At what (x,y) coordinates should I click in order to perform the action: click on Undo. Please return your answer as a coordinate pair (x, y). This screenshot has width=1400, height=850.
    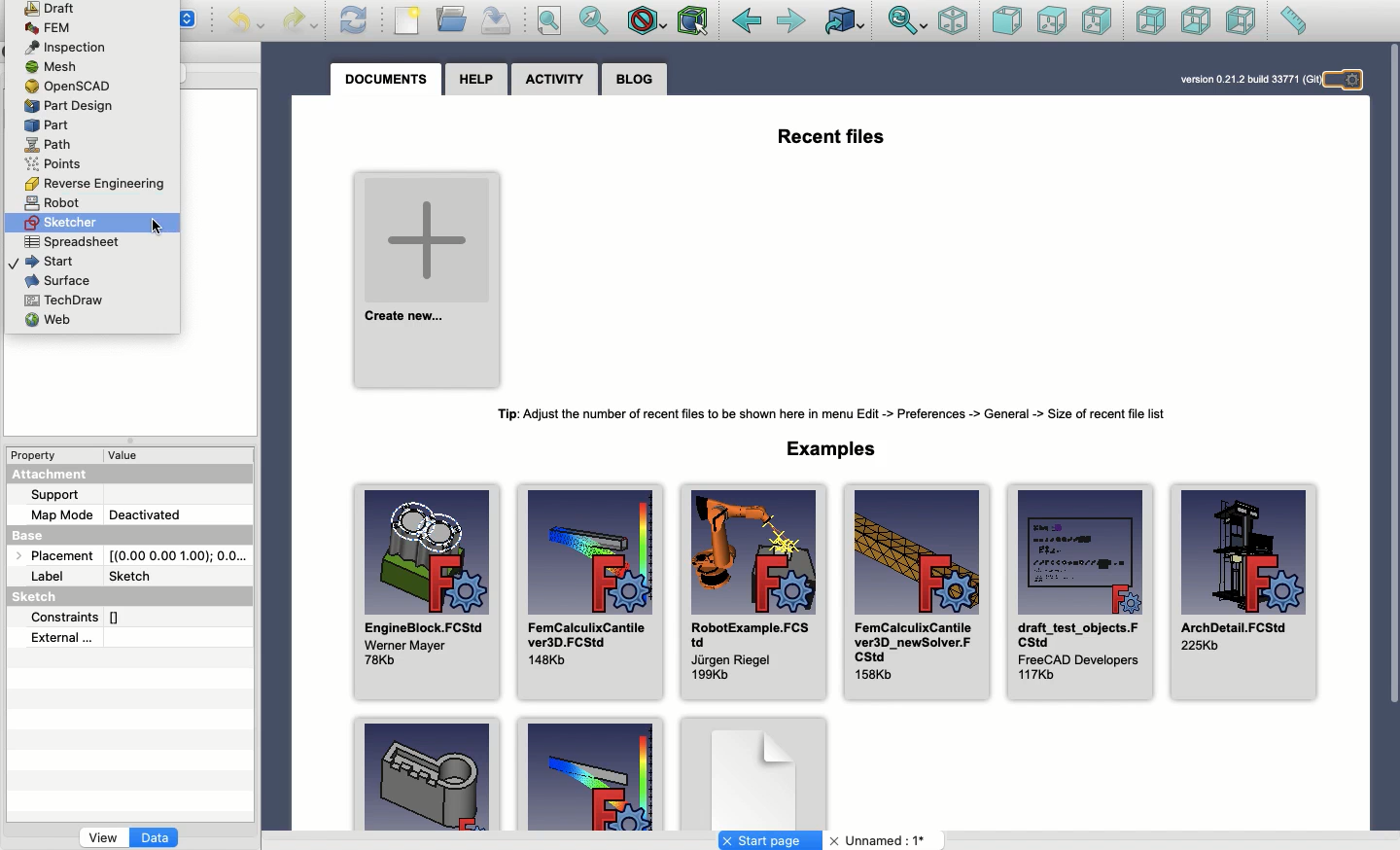
    Looking at the image, I should click on (246, 22).